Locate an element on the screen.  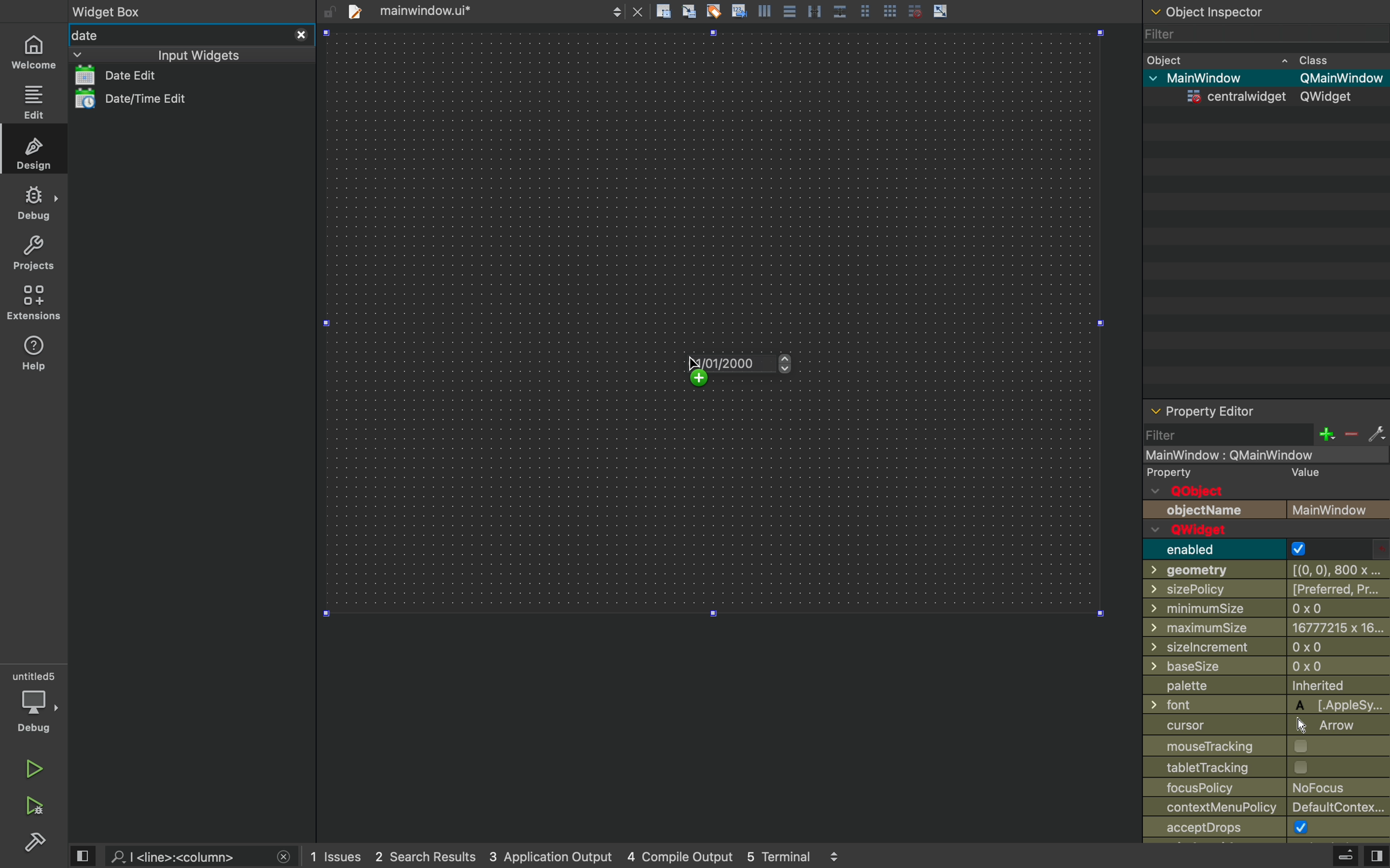
object is located at coordinates (1252, 59).